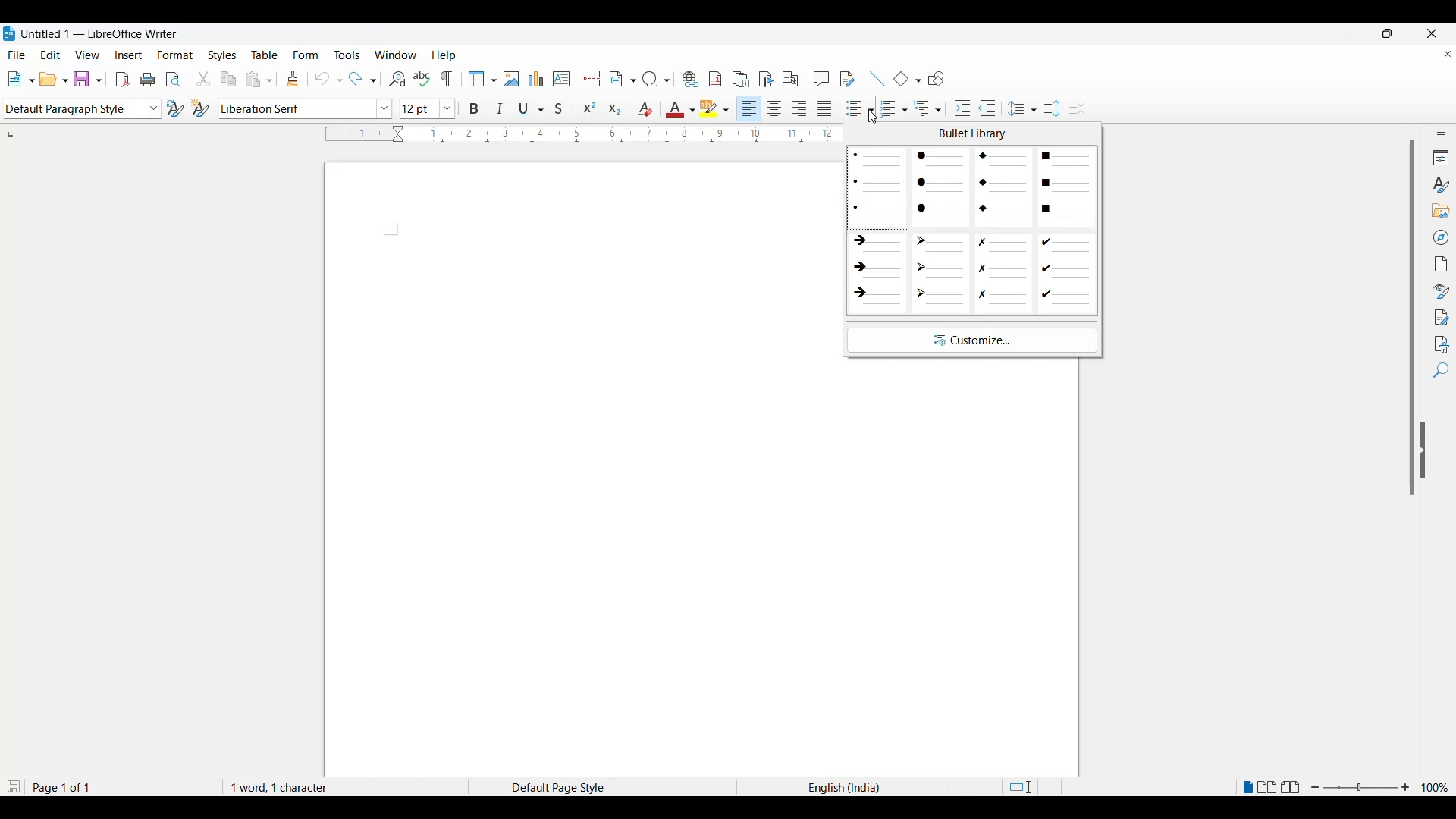  What do you see at coordinates (533, 106) in the screenshot?
I see `underline` at bounding box center [533, 106].